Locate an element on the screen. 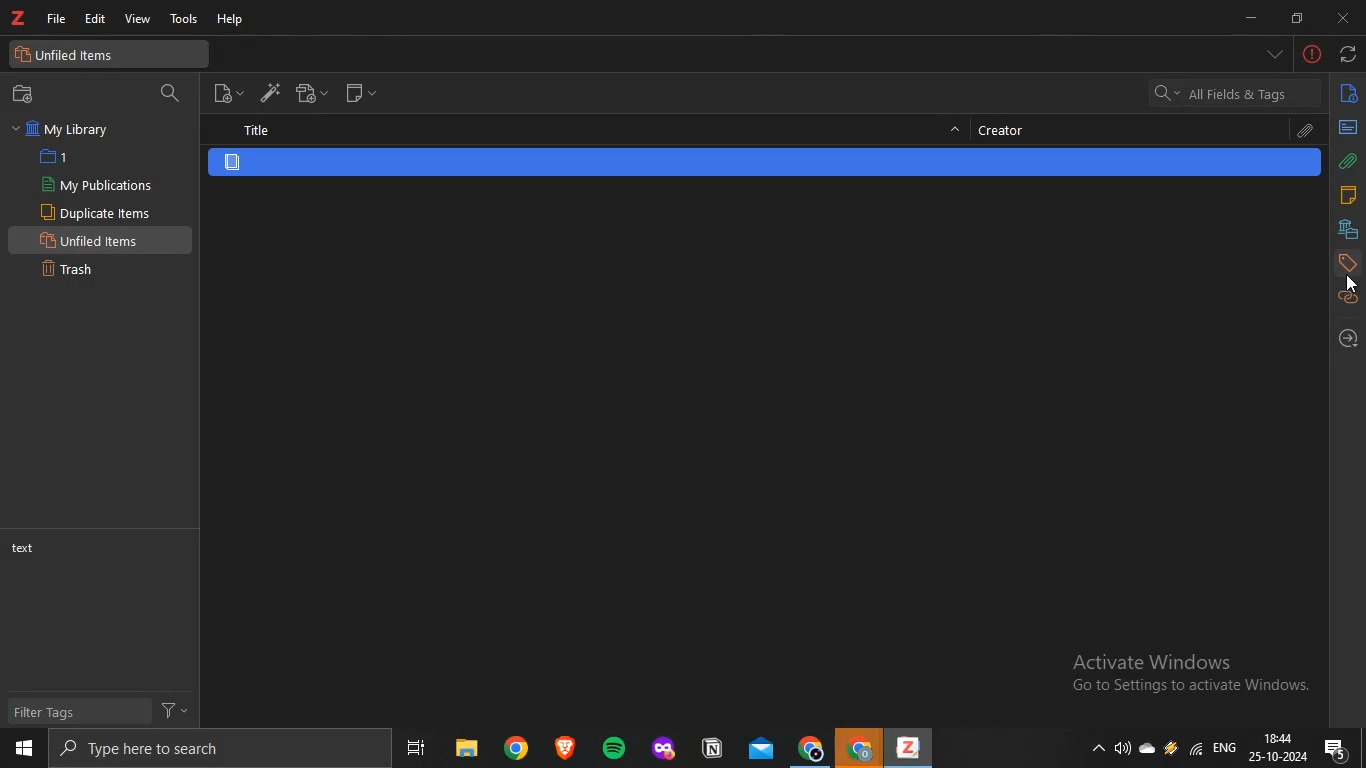 This screenshot has height=768, width=1366. abstract is located at coordinates (1347, 127).